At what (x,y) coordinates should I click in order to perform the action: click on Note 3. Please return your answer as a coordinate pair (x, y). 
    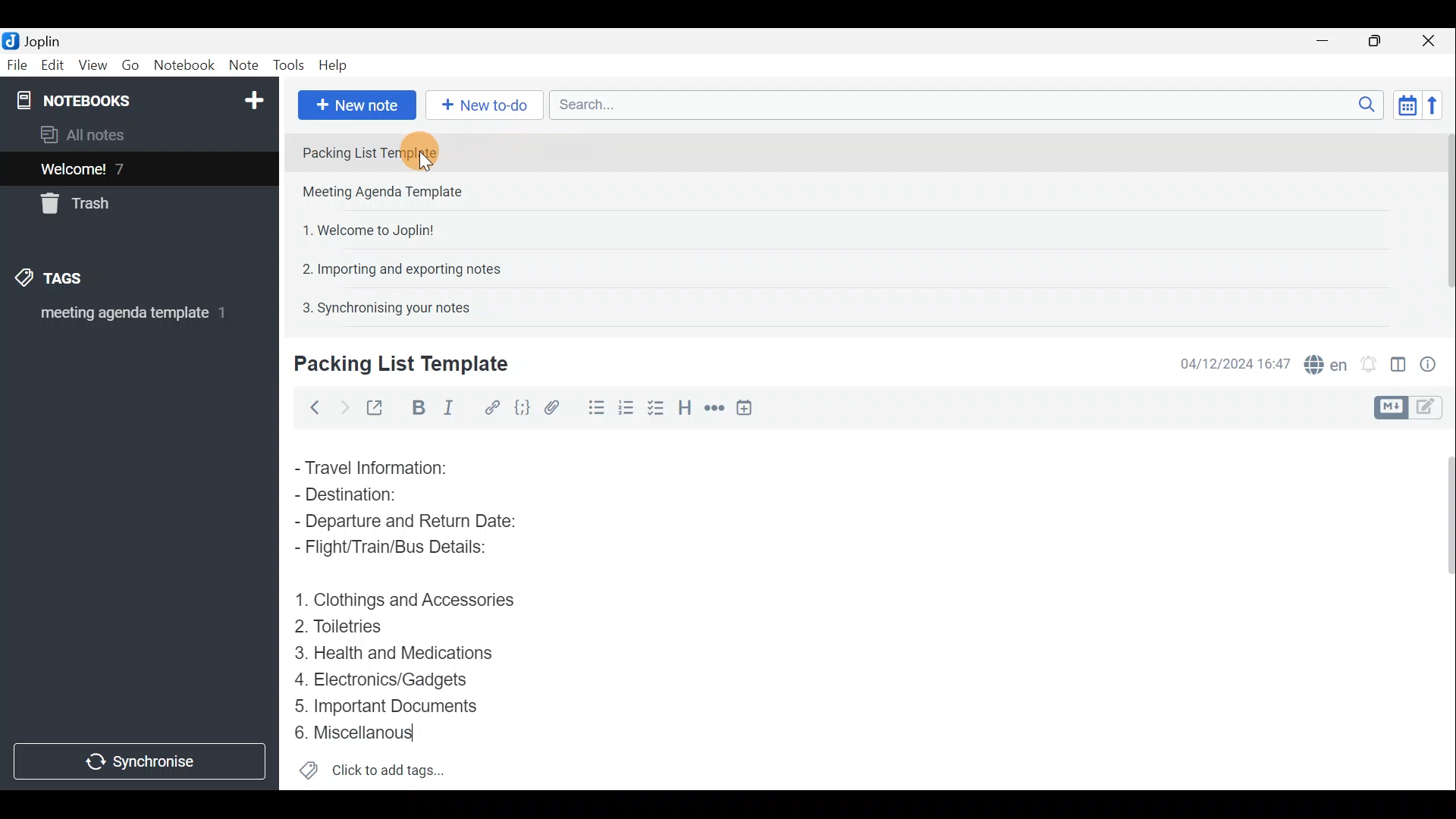
    Looking at the image, I should click on (362, 228).